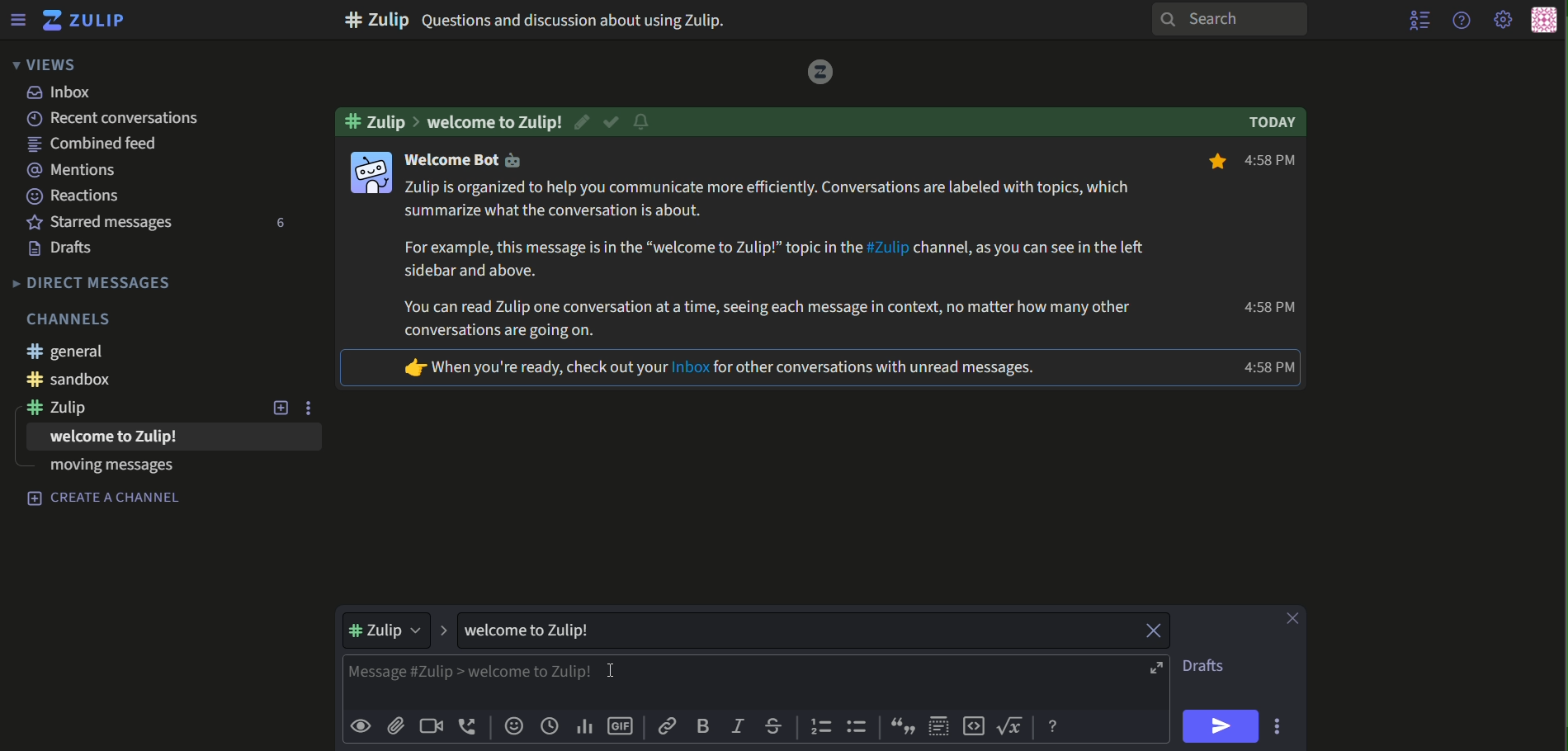  Describe the element at coordinates (172, 119) in the screenshot. I see `text` at that location.